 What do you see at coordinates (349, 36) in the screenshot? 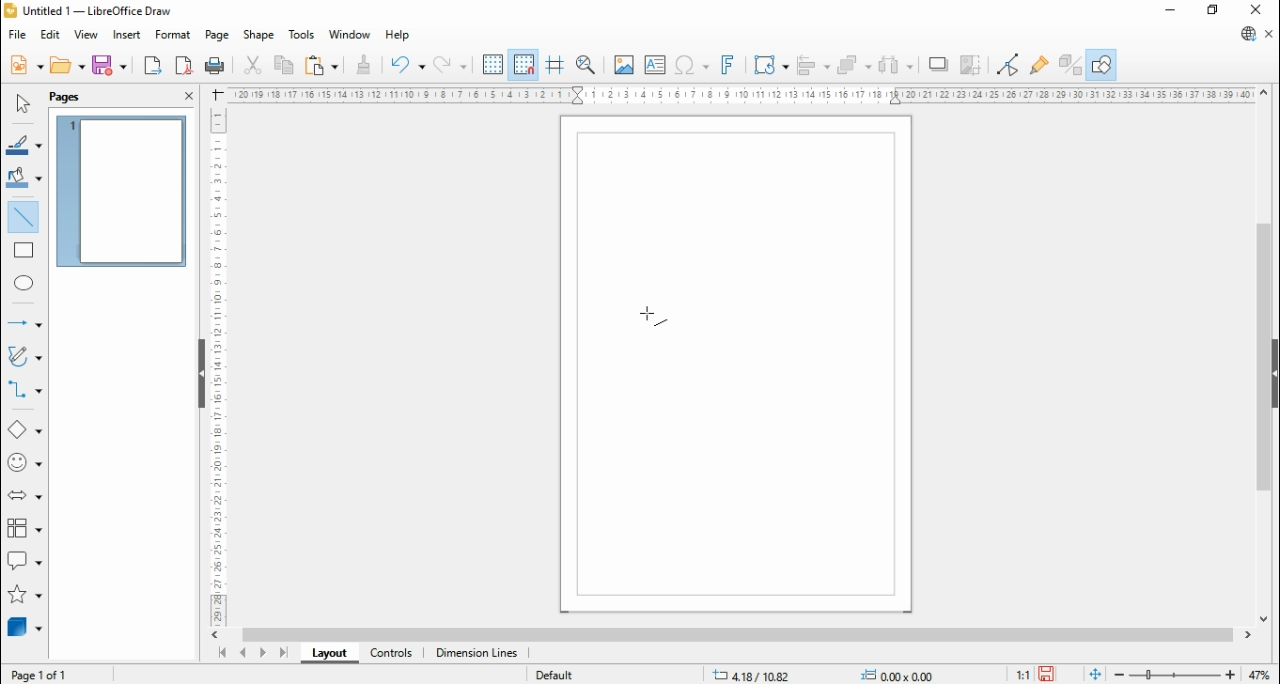
I see `window` at bounding box center [349, 36].